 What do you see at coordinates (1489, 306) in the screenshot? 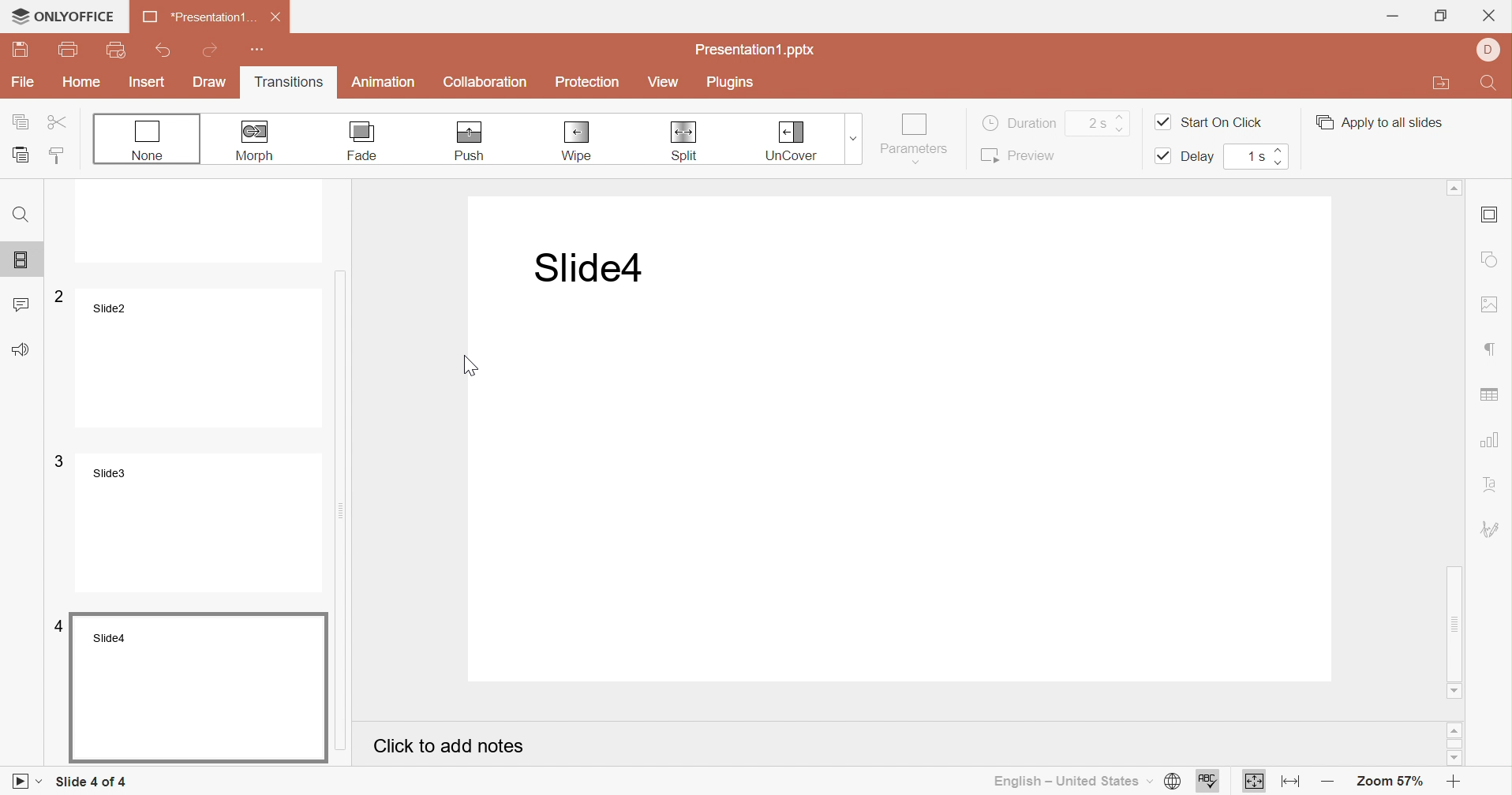
I see `Insert image` at bounding box center [1489, 306].